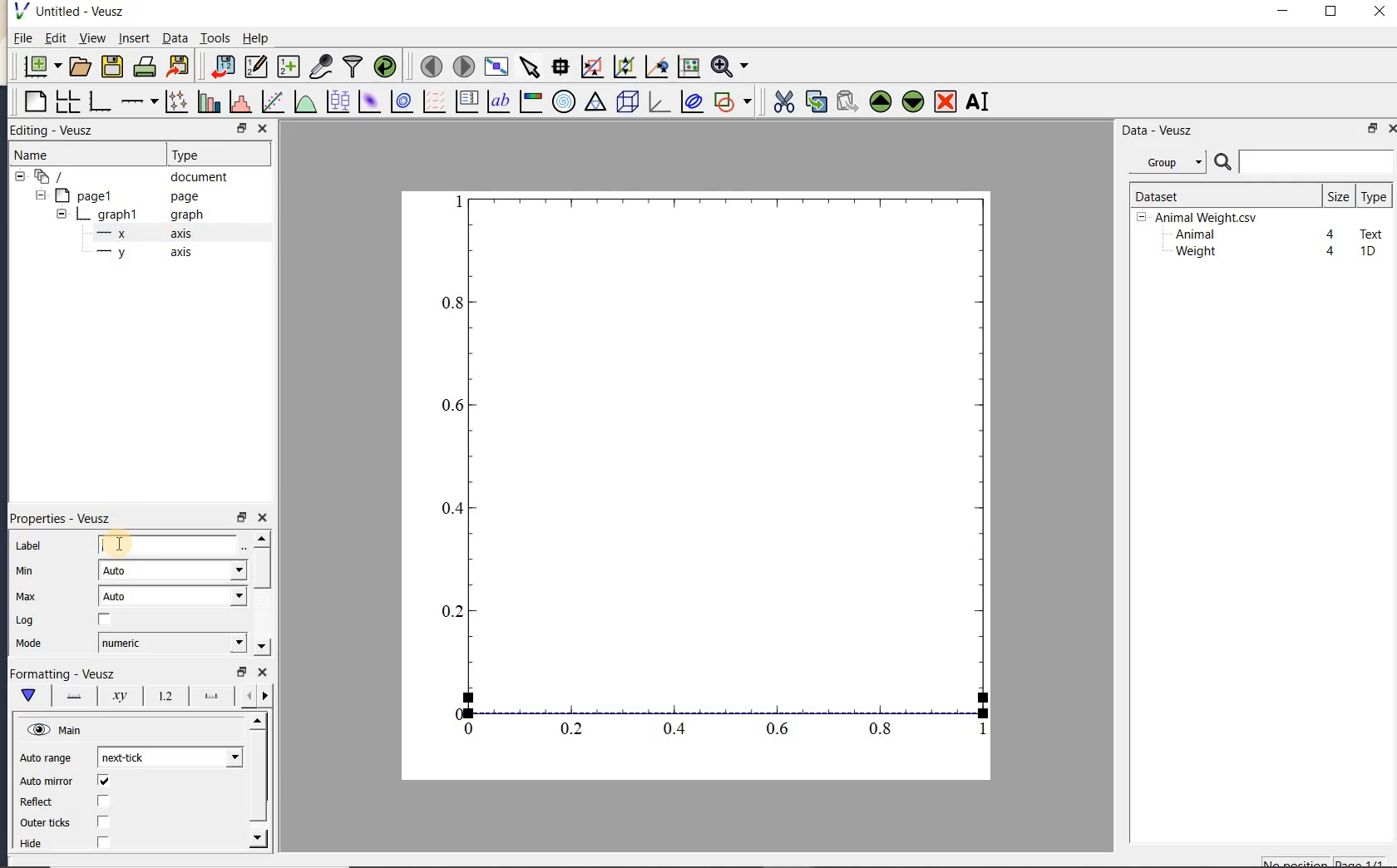  Describe the element at coordinates (657, 67) in the screenshot. I see `click to recenter graph axes` at that location.